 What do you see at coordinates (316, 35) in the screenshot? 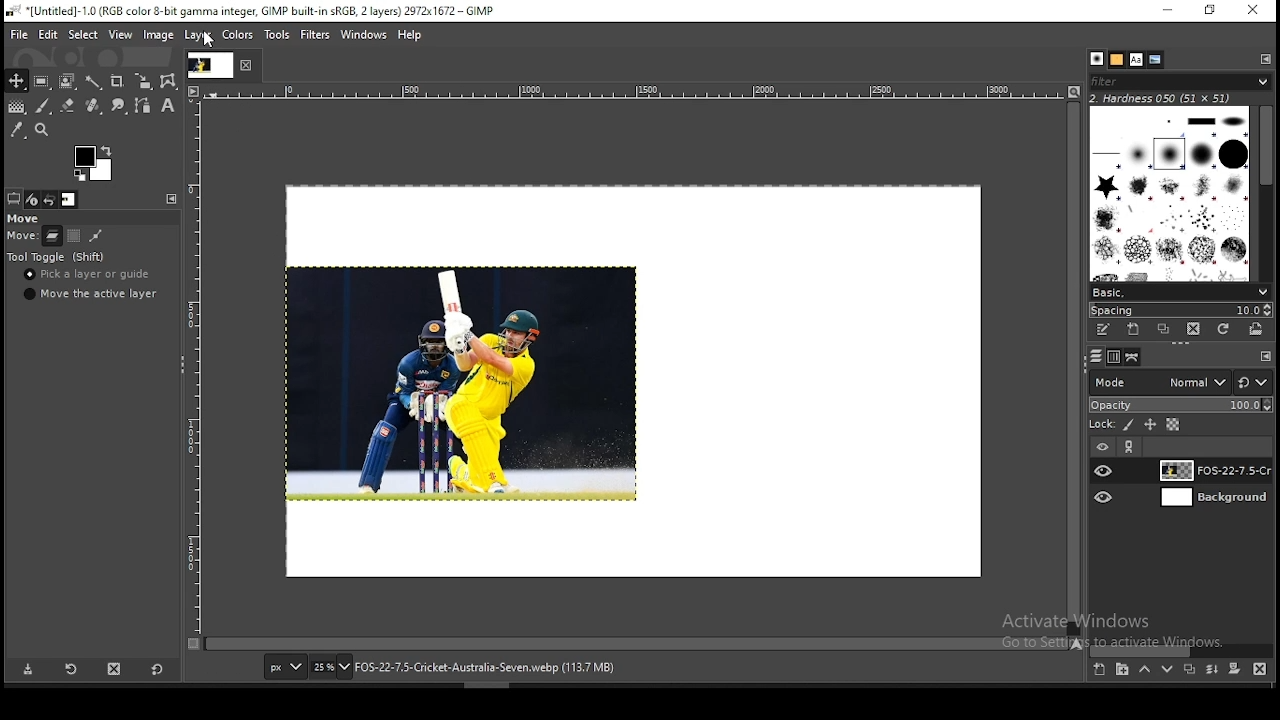
I see `filters` at bounding box center [316, 35].